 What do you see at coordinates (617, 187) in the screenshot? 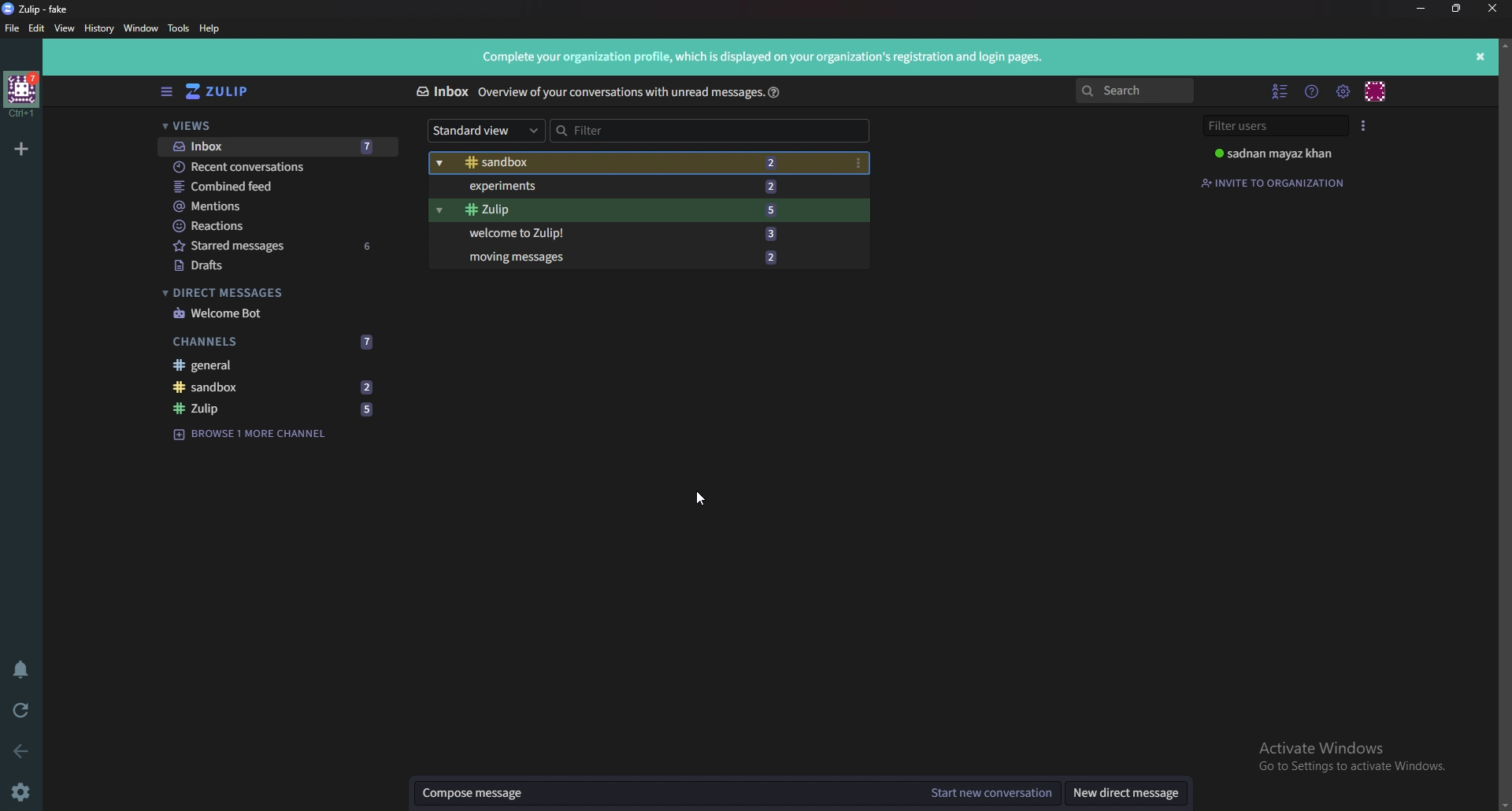
I see `Experiments` at bounding box center [617, 187].